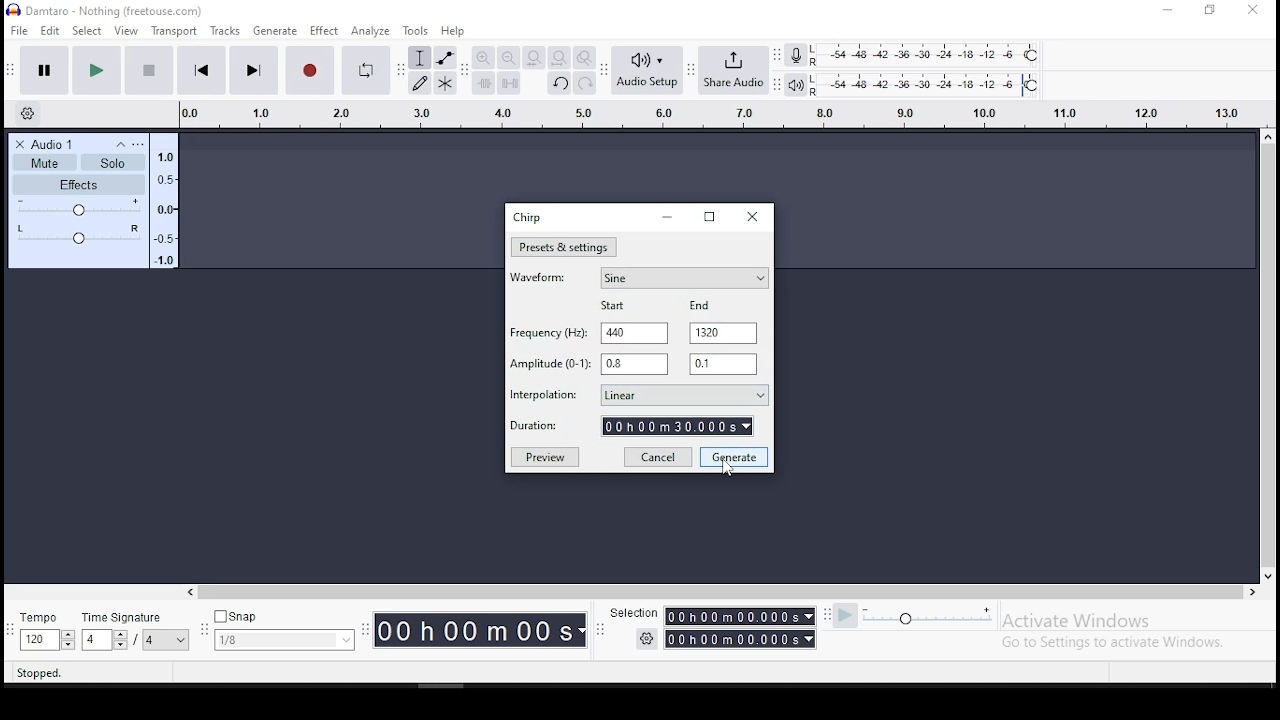 This screenshot has width=1280, height=720. What do you see at coordinates (80, 235) in the screenshot?
I see `pan` at bounding box center [80, 235].